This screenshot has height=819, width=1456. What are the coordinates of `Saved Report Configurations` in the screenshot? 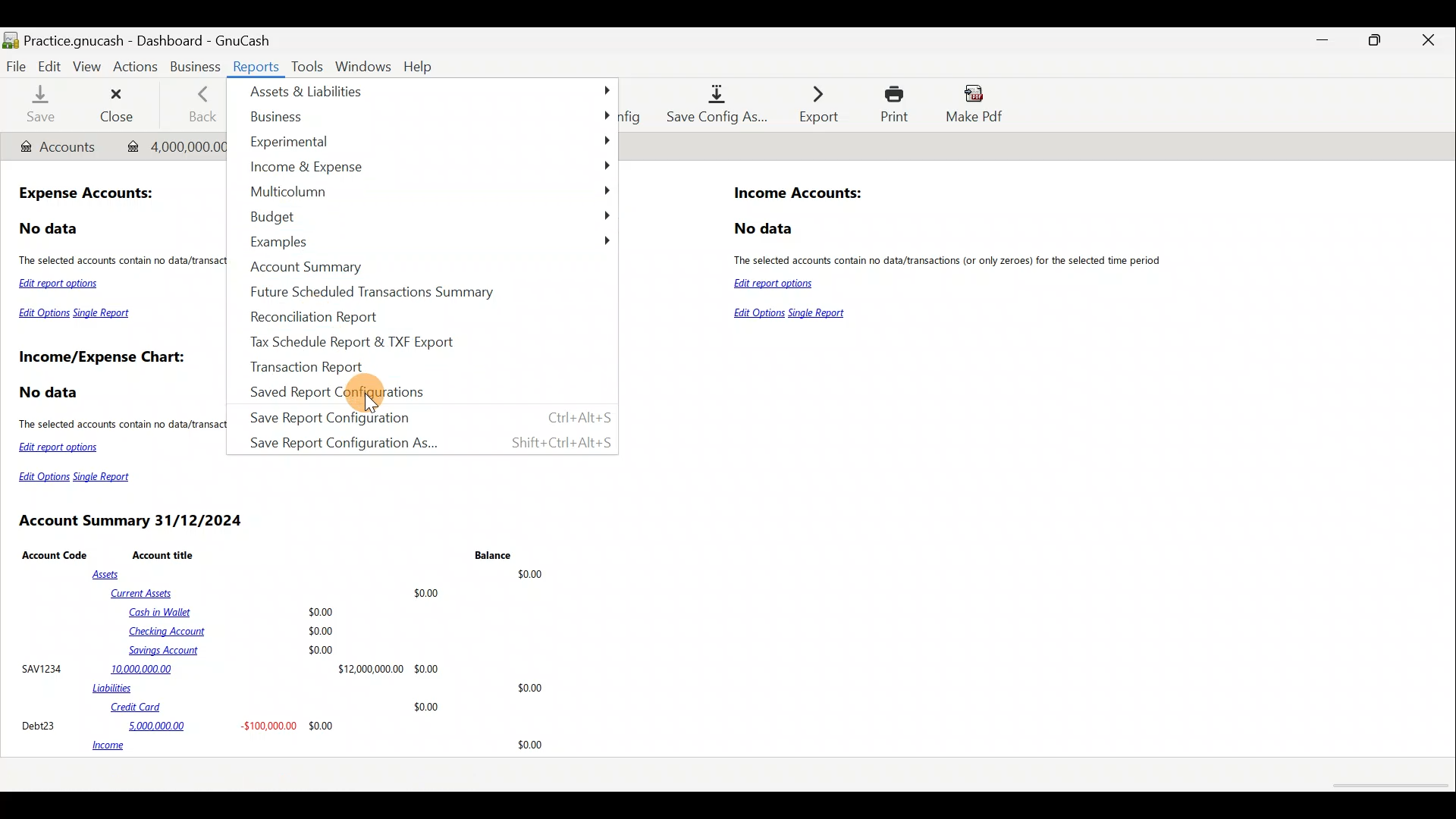 It's located at (339, 392).